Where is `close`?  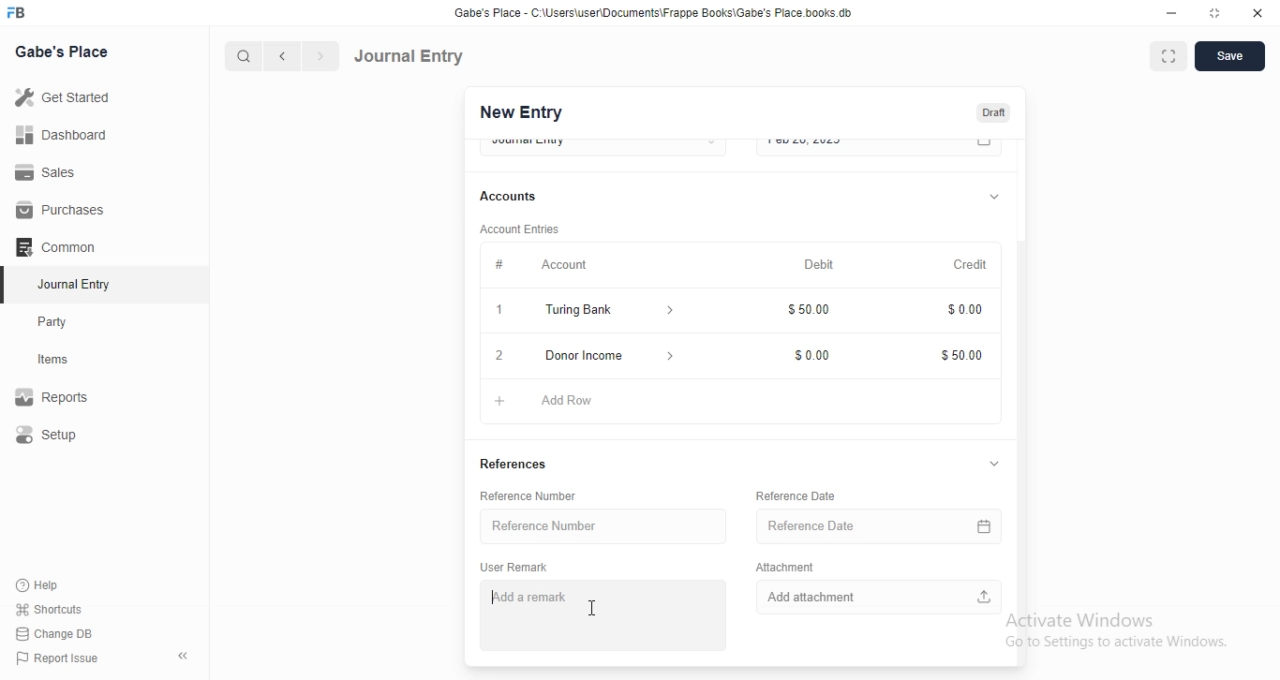 close is located at coordinates (1258, 14).